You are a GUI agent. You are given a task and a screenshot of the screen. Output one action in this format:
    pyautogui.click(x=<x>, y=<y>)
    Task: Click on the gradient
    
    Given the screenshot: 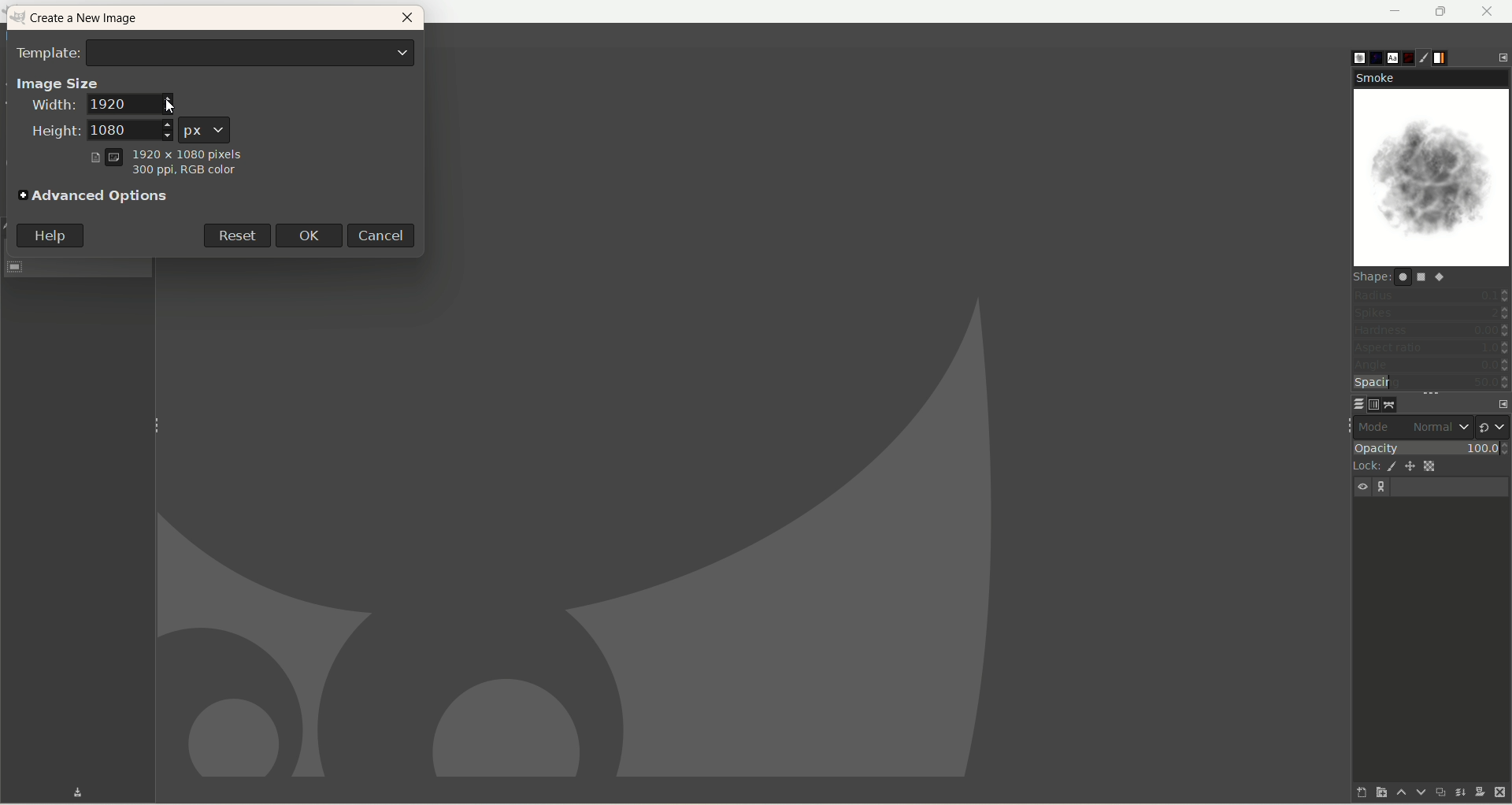 What is the action you would take?
    pyautogui.click(x=1451, y=56)
    